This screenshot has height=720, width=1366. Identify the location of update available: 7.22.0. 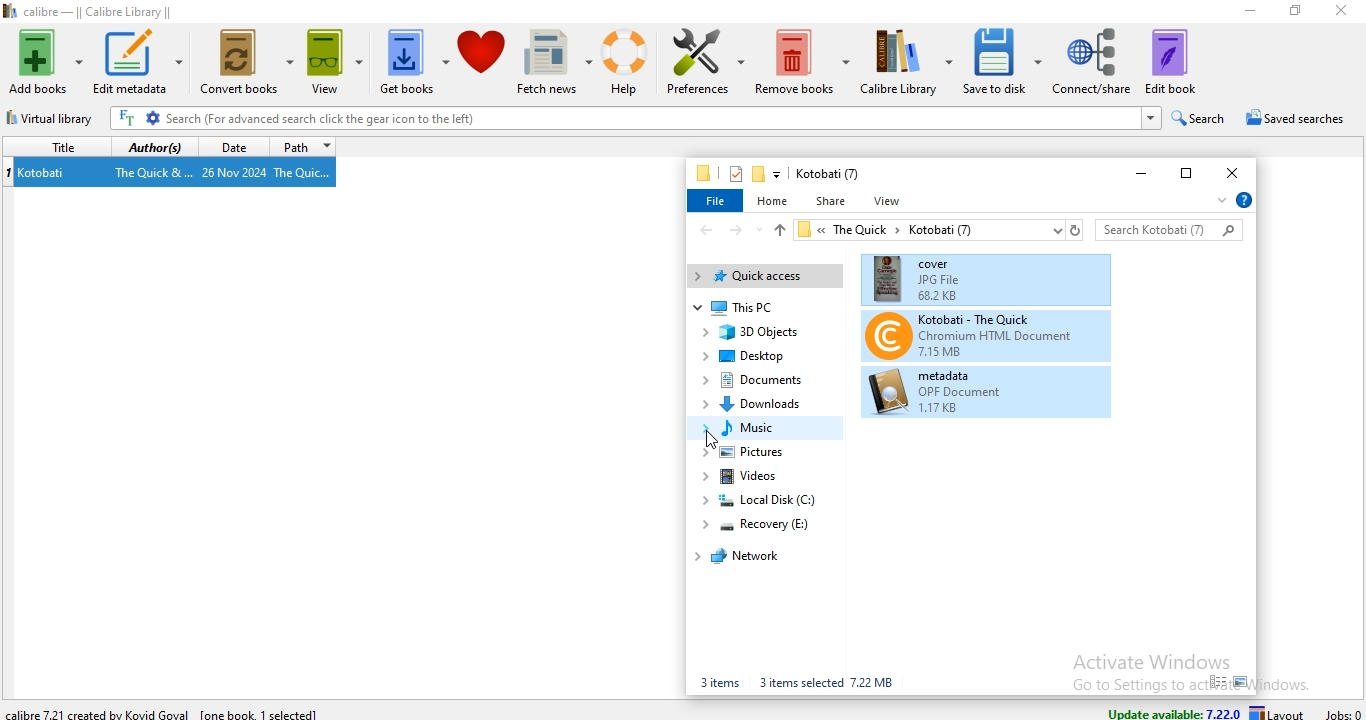
(1172, 710).